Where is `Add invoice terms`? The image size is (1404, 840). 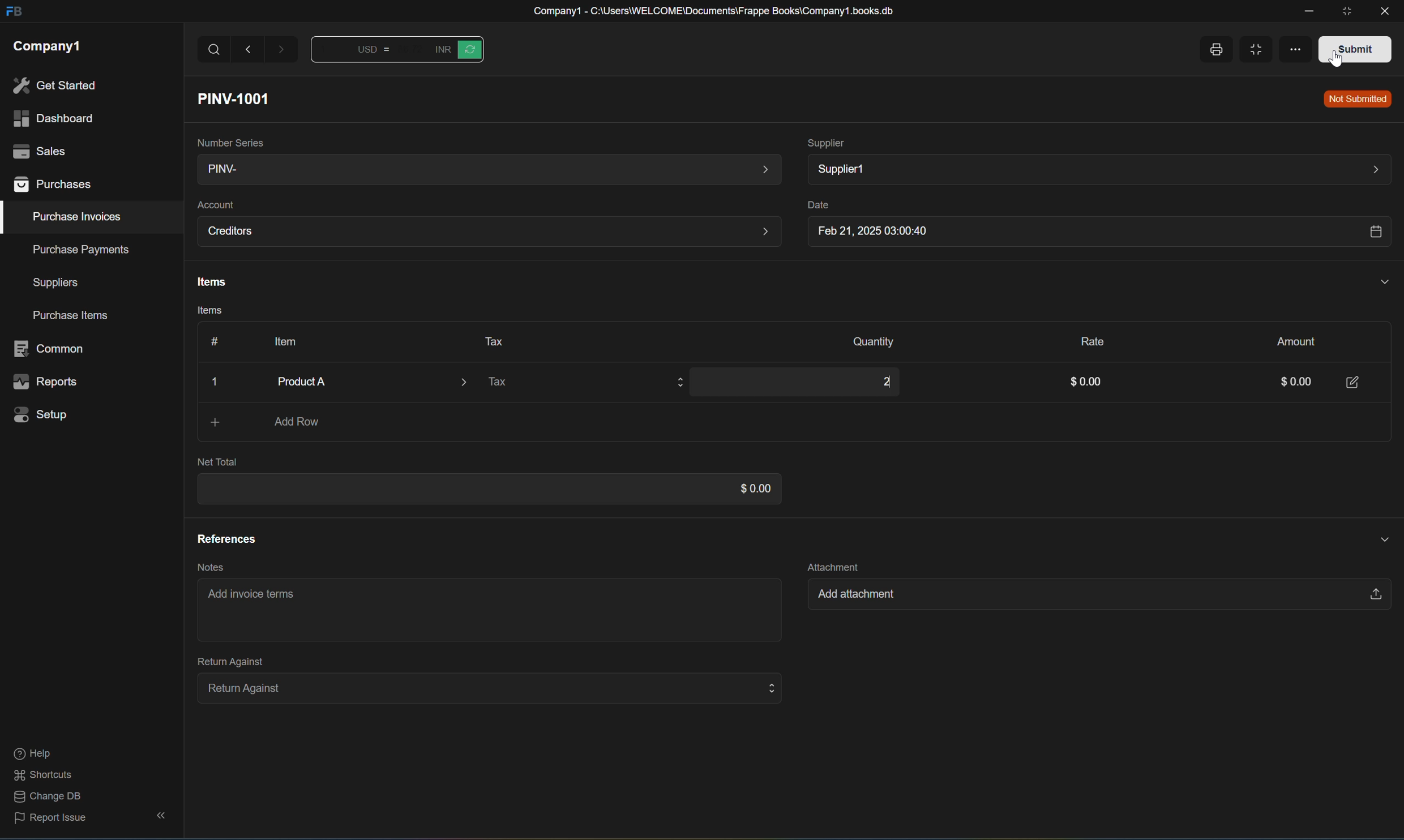
Add invoice terms is located at coordinates (256, 598).